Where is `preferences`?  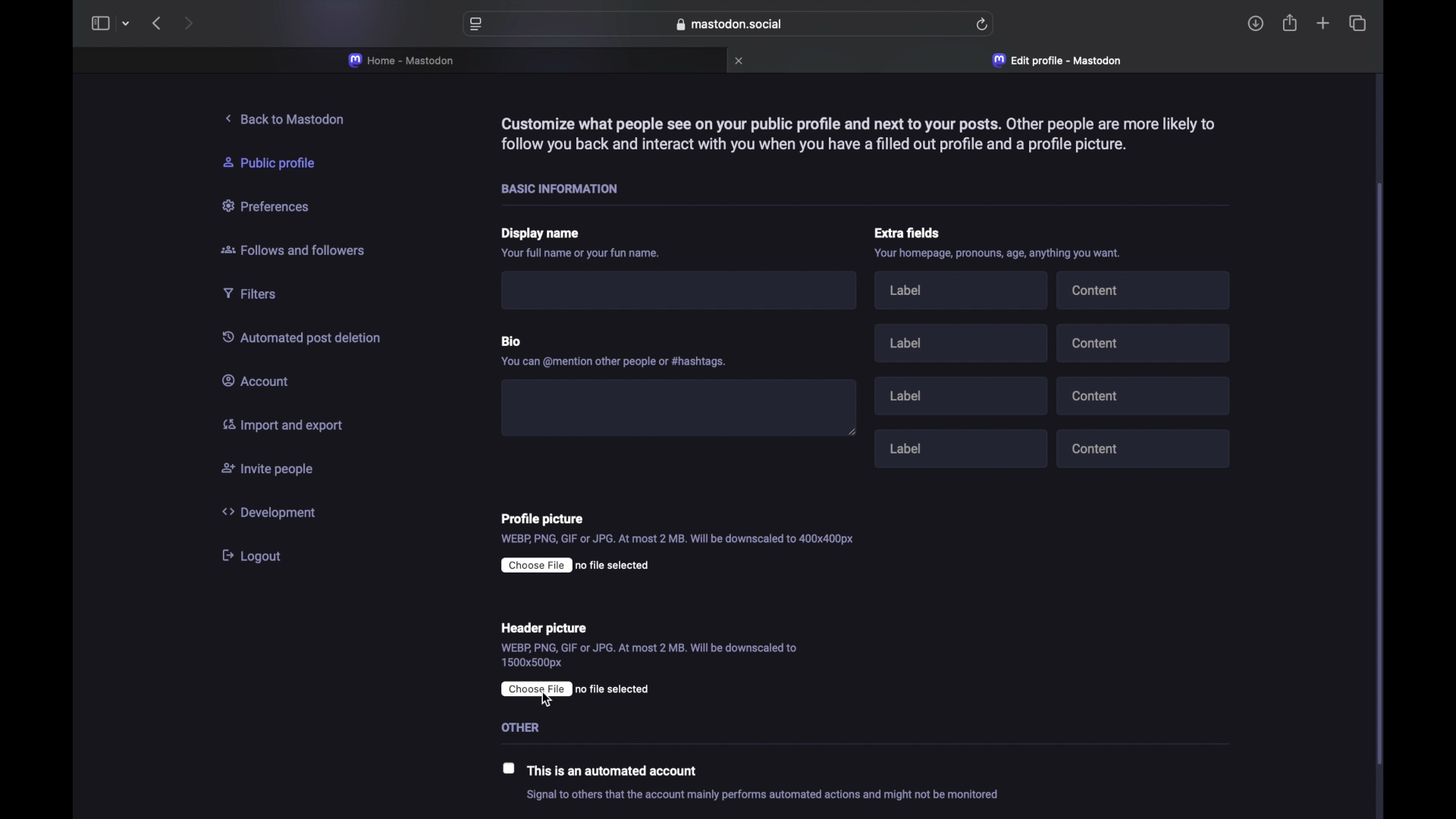
preferences is located at coordinates (269, 207).